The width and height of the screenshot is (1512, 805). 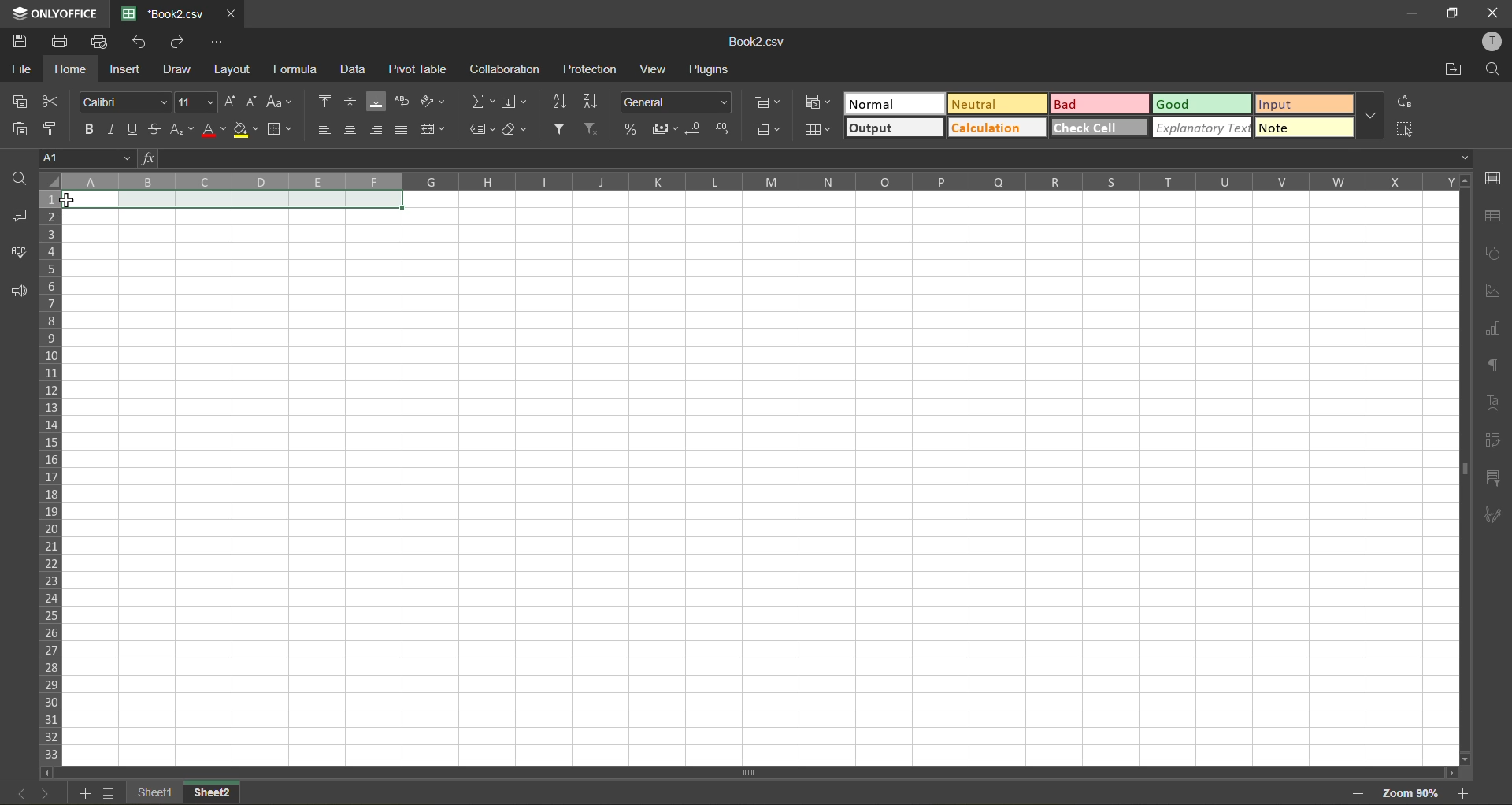 What do you see at coordinates (893, 105) in the screenshot?
I see `normal` at bounding box center [893, 105].